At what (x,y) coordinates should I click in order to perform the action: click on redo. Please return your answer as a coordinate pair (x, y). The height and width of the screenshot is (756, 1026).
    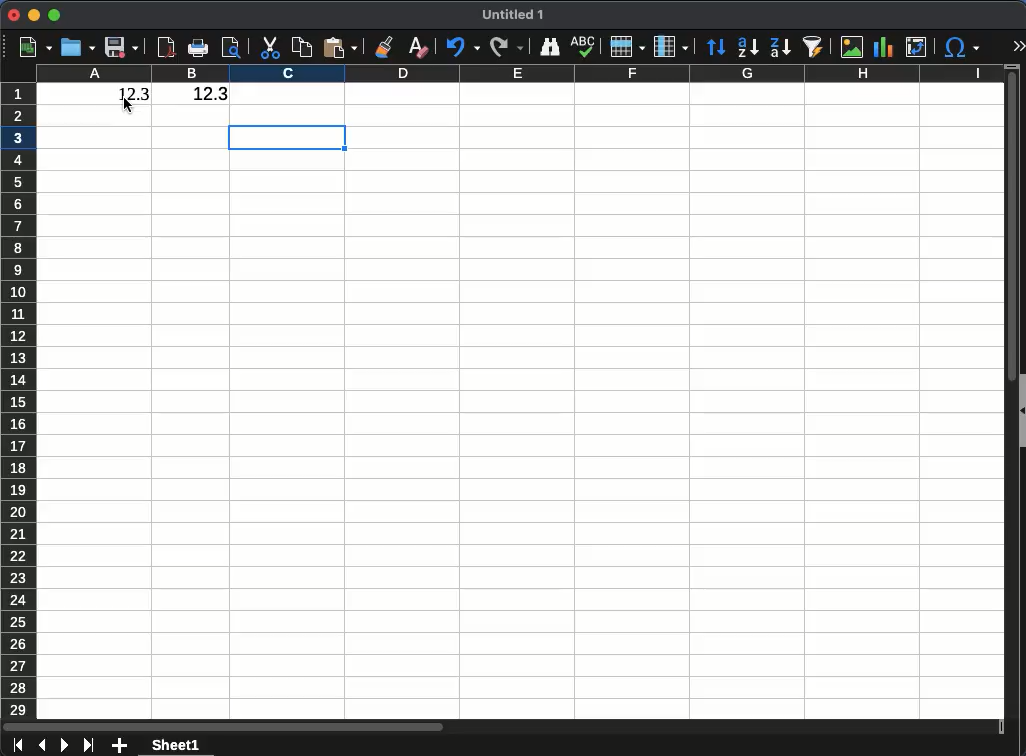
    Looking at the image, I should click on (507, 48).